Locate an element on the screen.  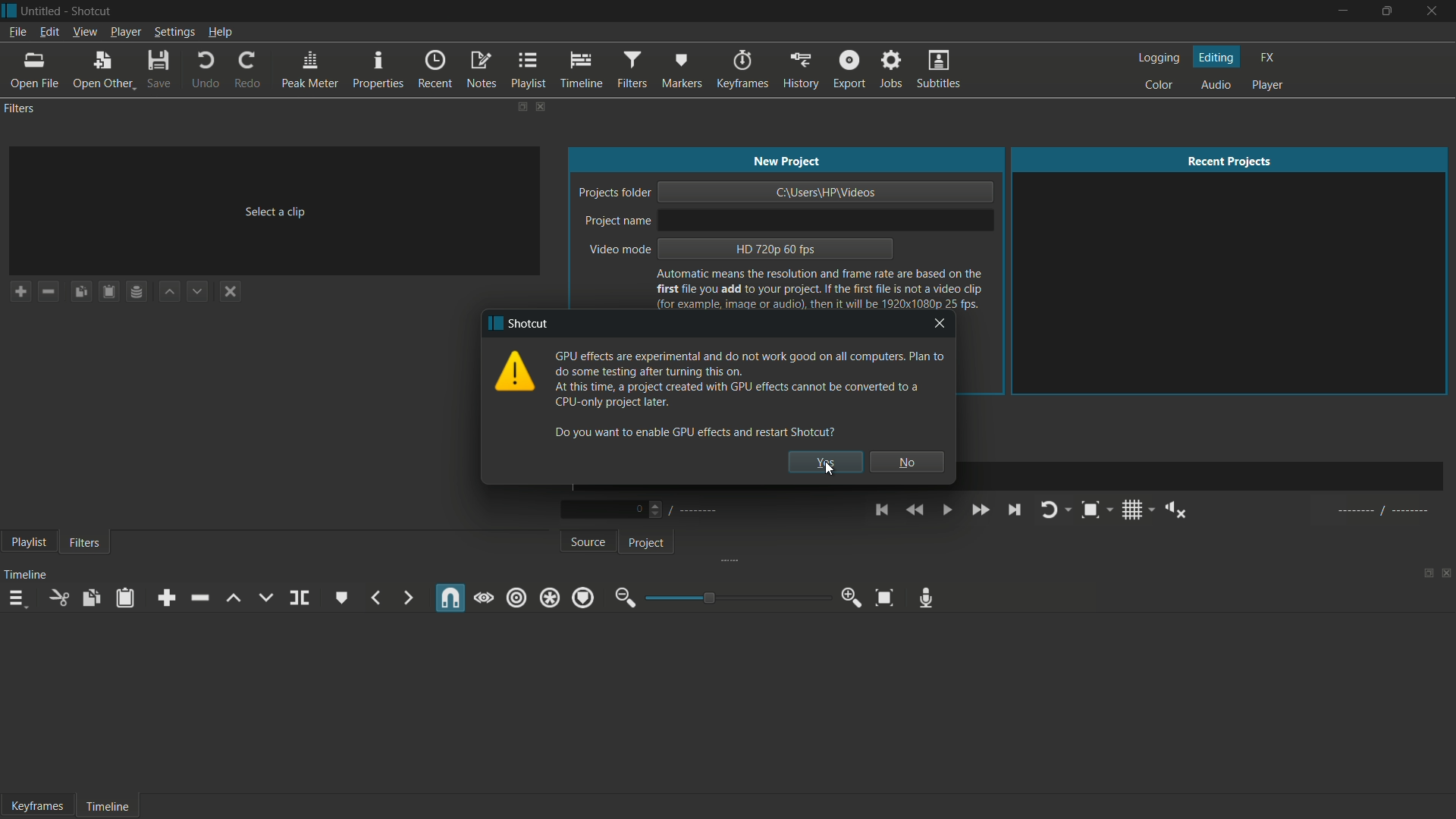
fx is located at coordinates (1267, 58).